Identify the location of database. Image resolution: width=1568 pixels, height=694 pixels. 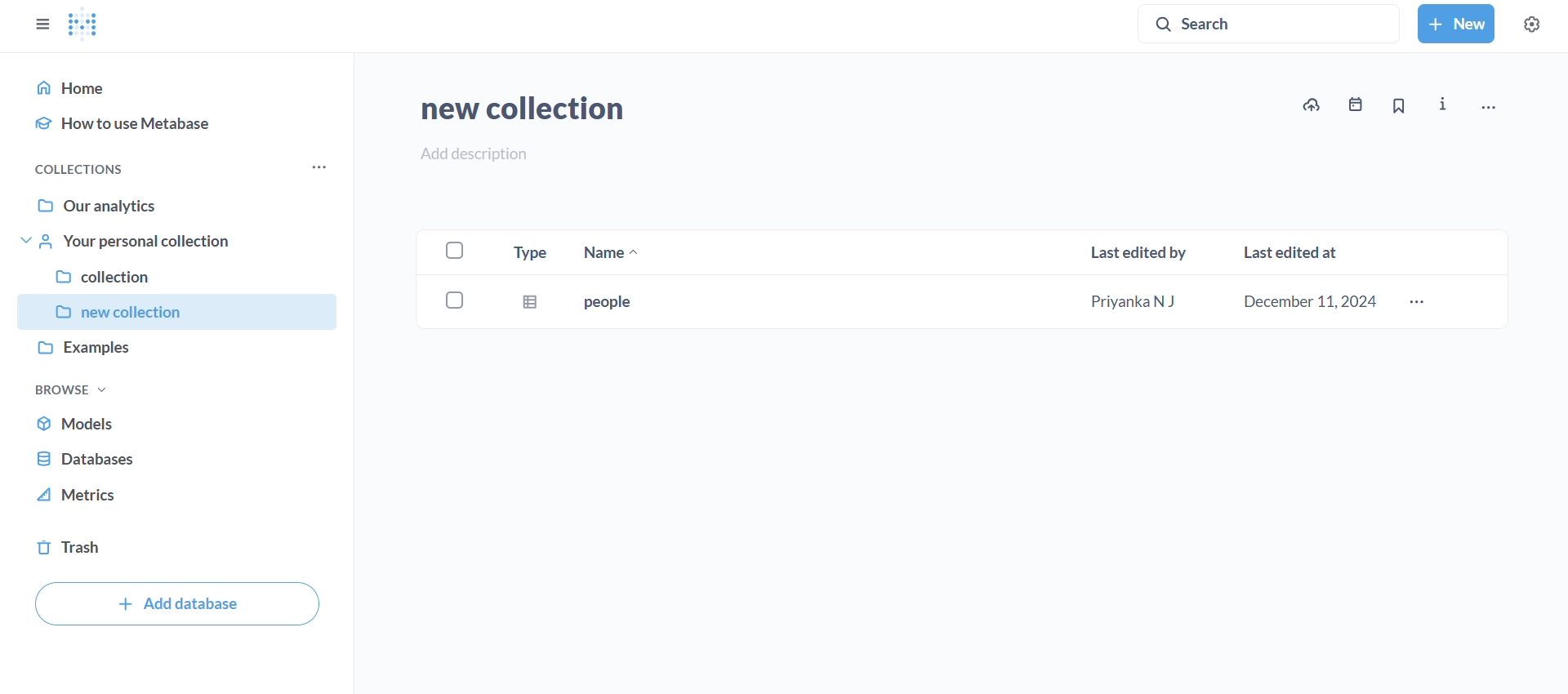
(182, 459).